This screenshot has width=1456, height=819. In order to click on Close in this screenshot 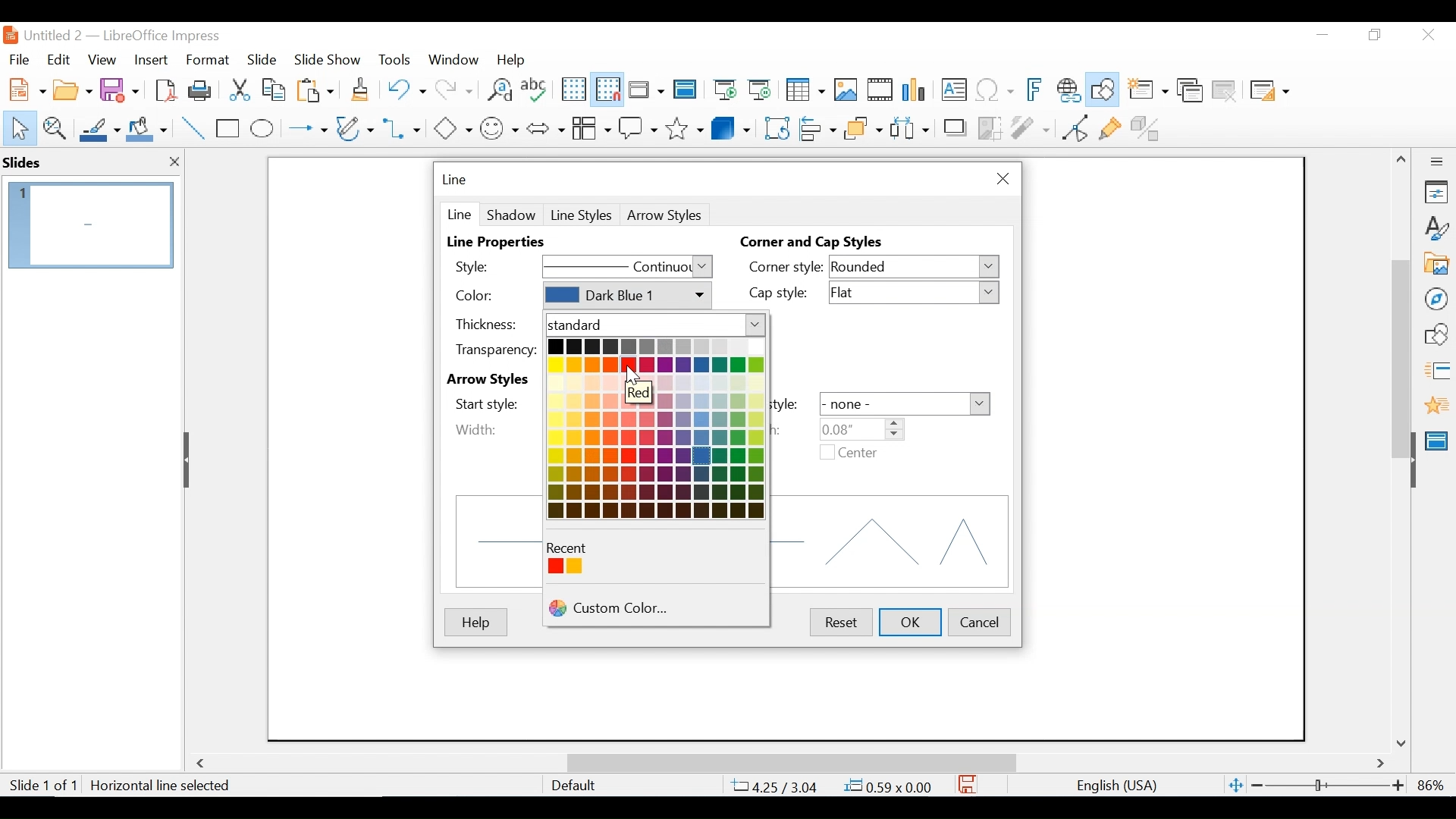, I will do `click(1426, 36)`.